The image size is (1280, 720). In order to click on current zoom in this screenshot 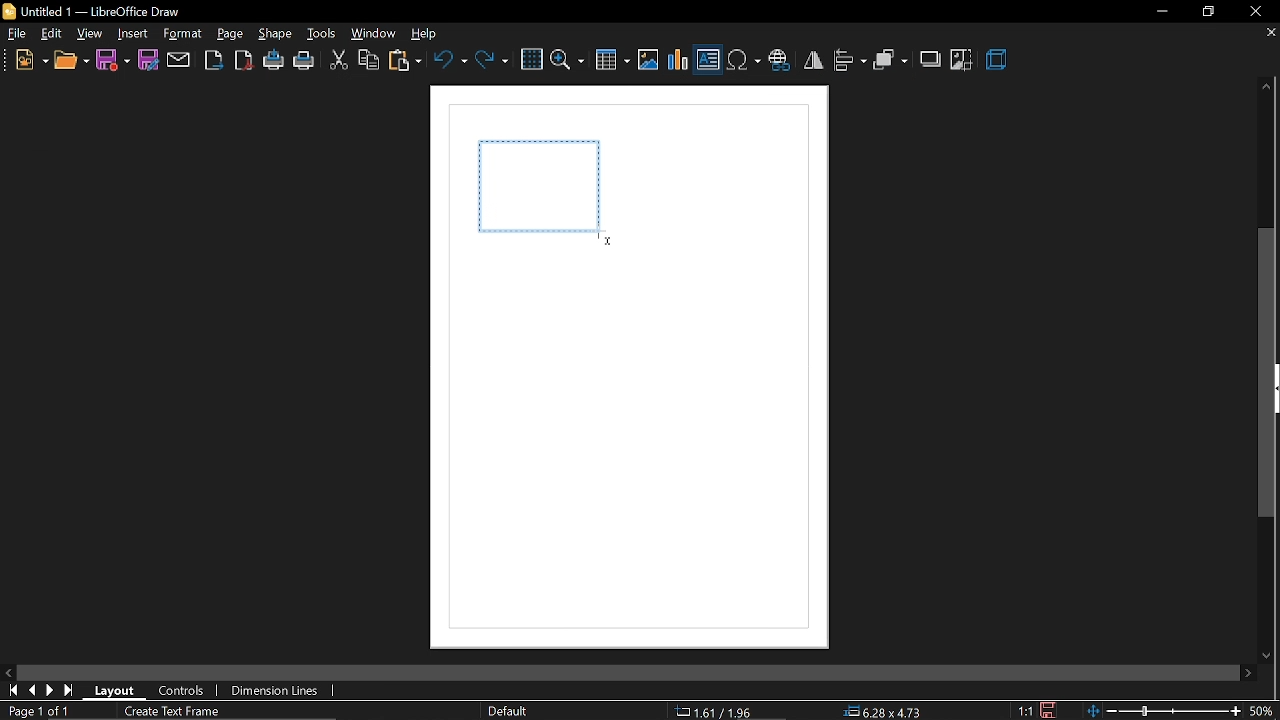, I will do `click(1266, 711)`.